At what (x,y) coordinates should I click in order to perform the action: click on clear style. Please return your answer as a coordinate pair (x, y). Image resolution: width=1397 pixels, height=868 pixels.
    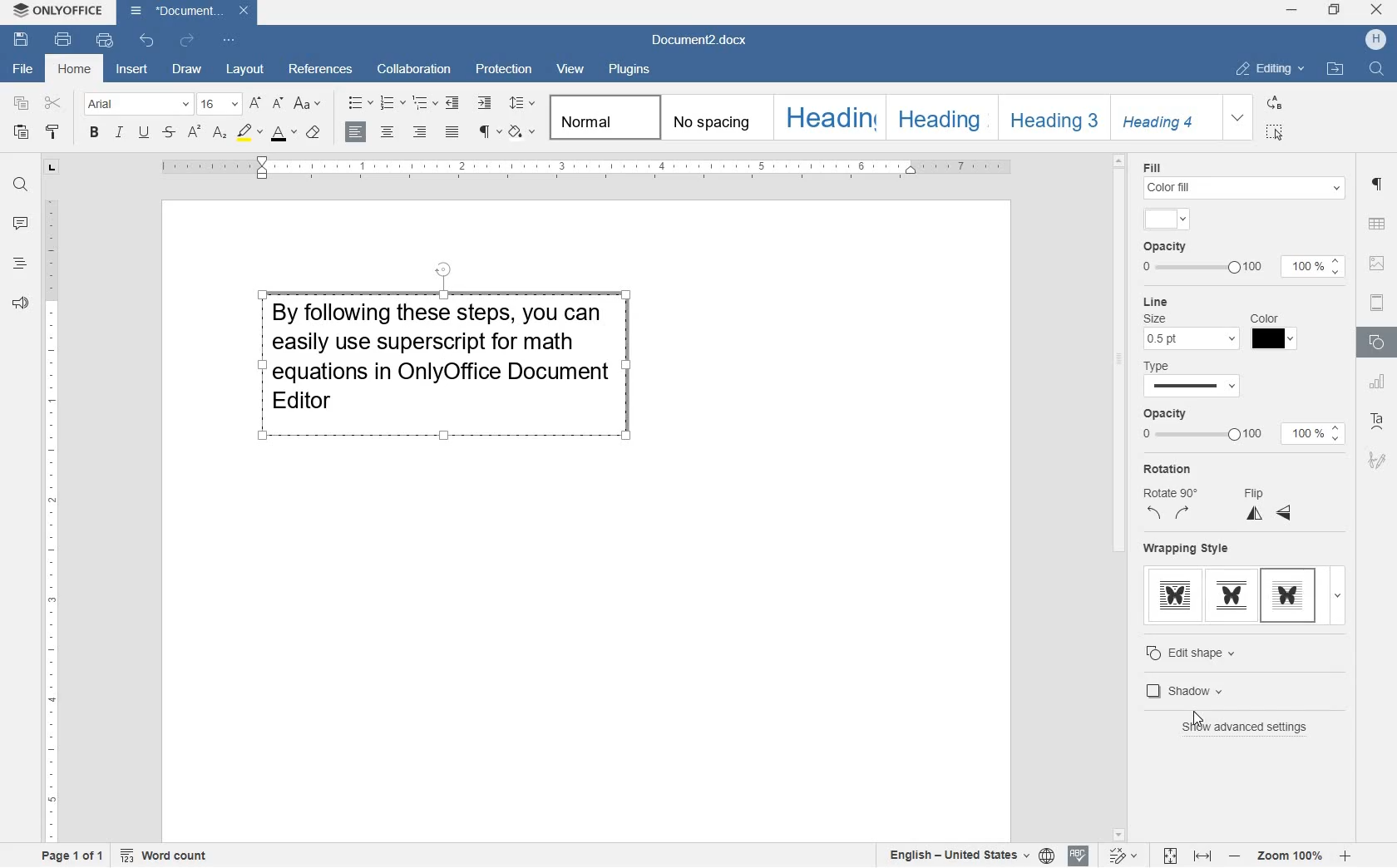
    Looking at the image, I should click on (313, 133).